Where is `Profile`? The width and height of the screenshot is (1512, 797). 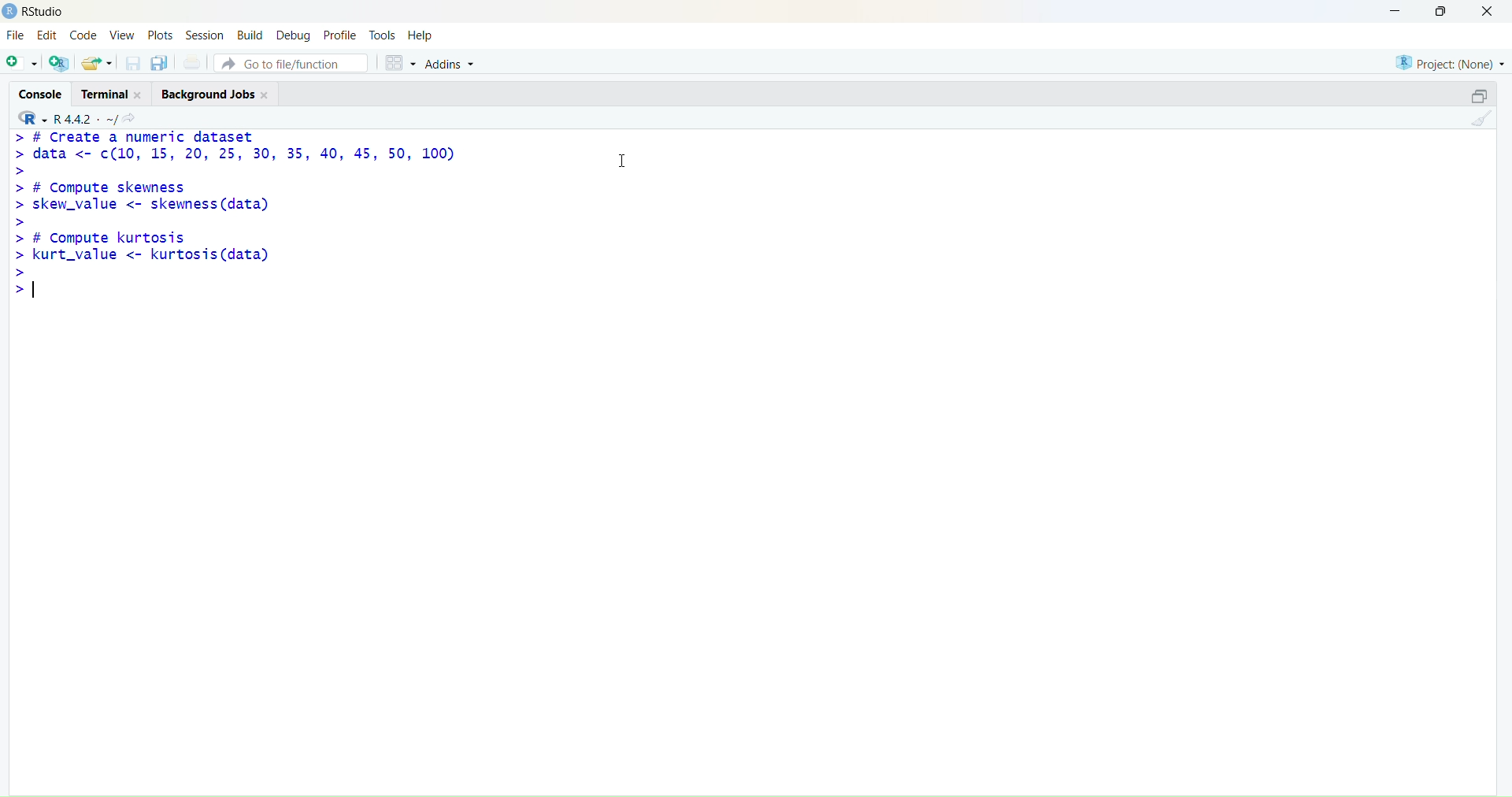
Profile is located at coordinates (340, 32).